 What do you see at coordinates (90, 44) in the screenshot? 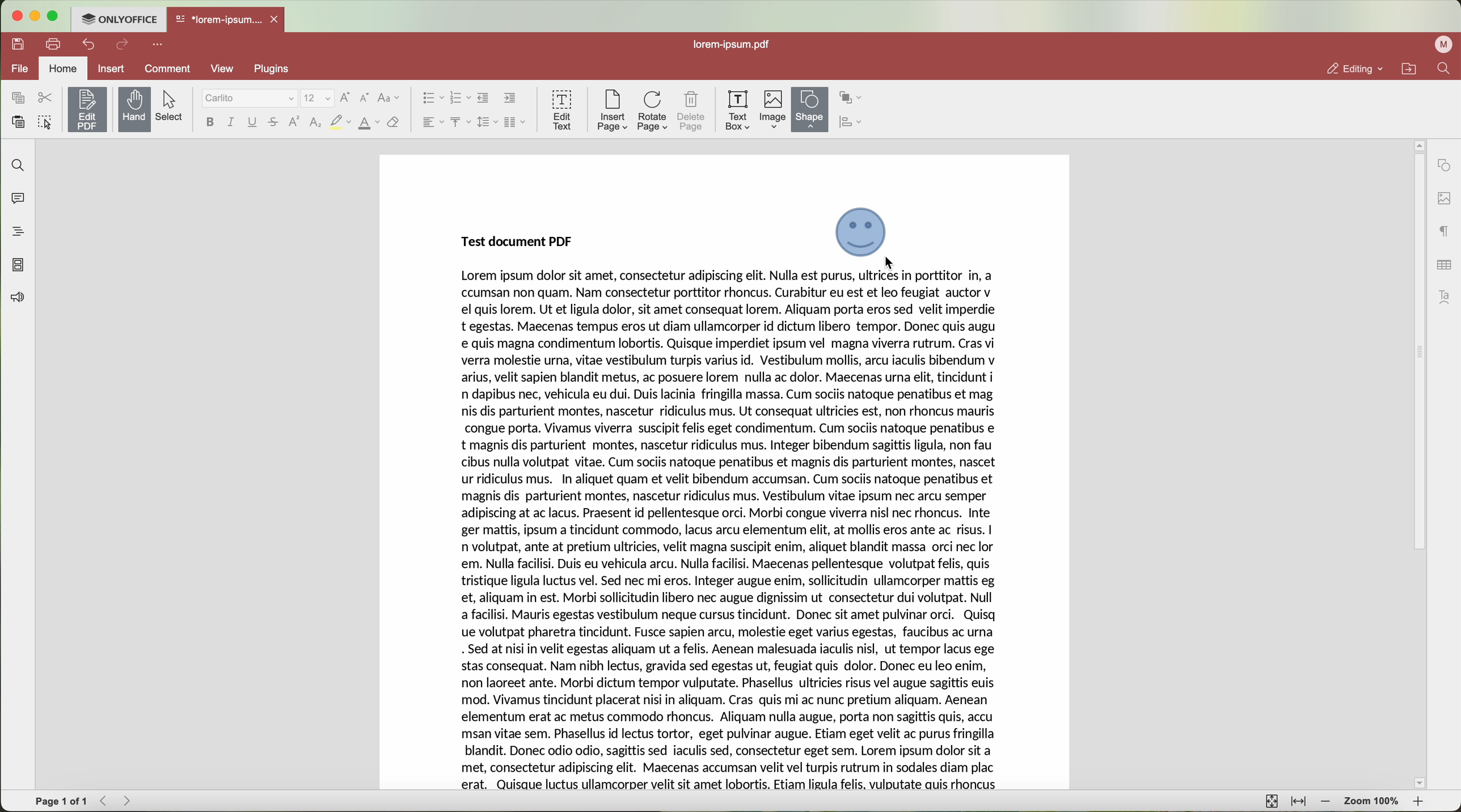
I see `undo` at bounding box center [90, 44].